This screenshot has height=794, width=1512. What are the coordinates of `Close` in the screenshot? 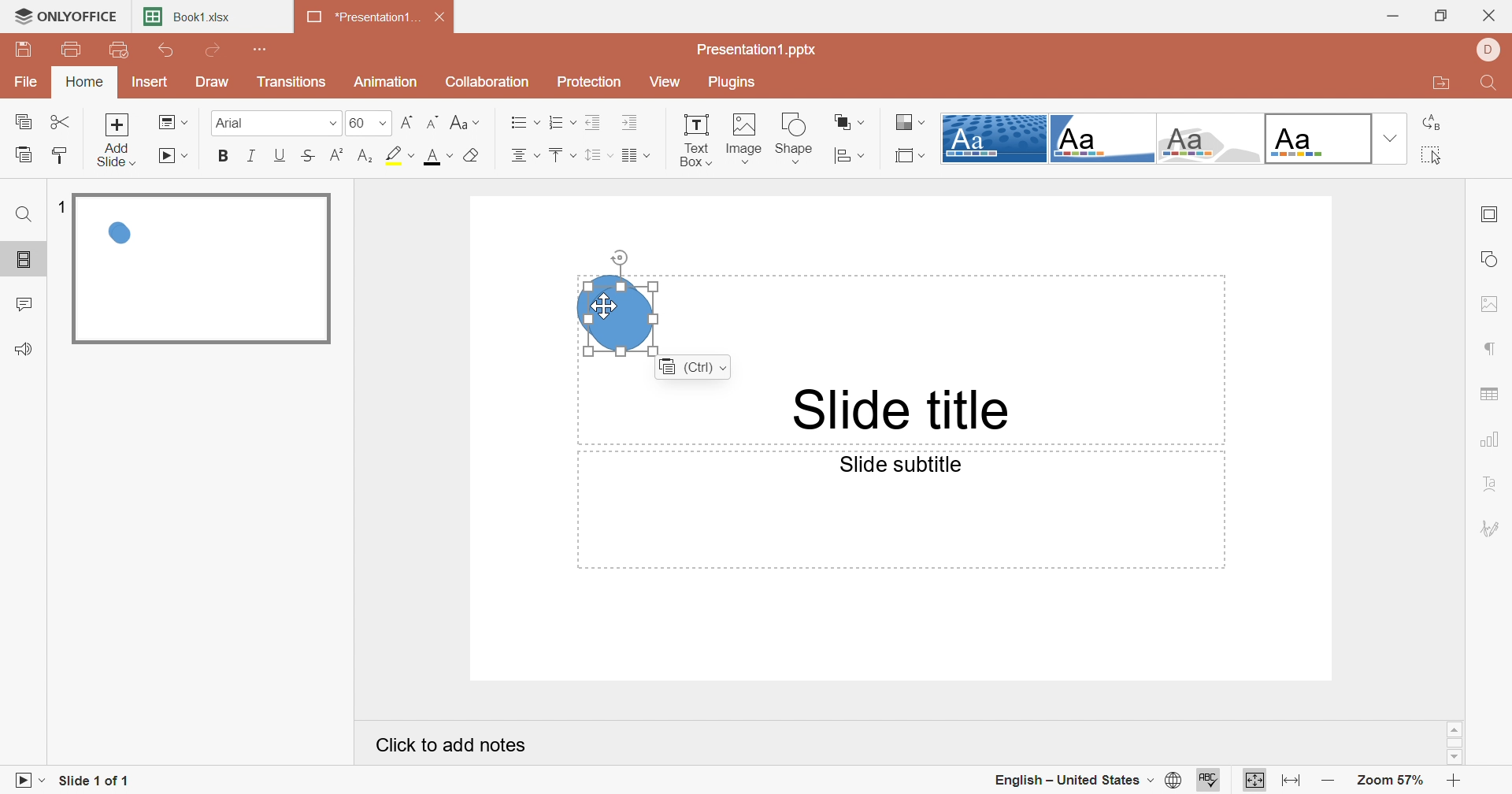 It's located at (1494, 12).